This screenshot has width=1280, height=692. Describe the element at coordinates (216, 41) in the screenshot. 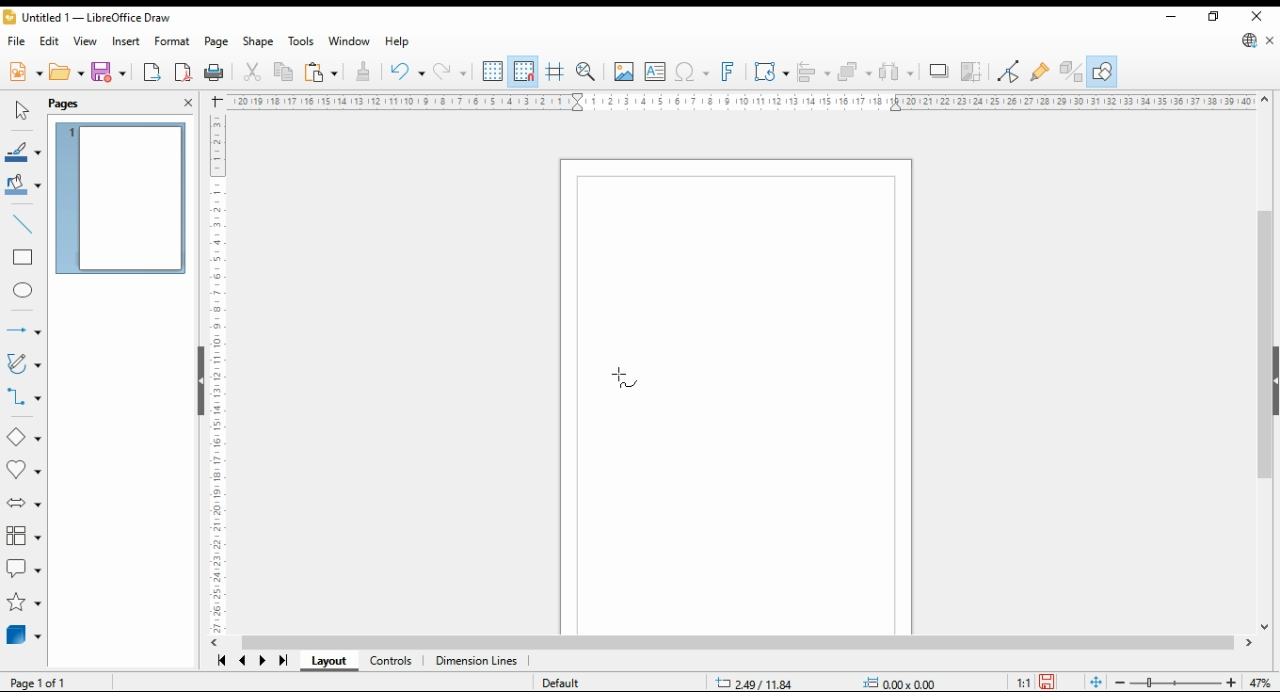

I see `page` at that location.